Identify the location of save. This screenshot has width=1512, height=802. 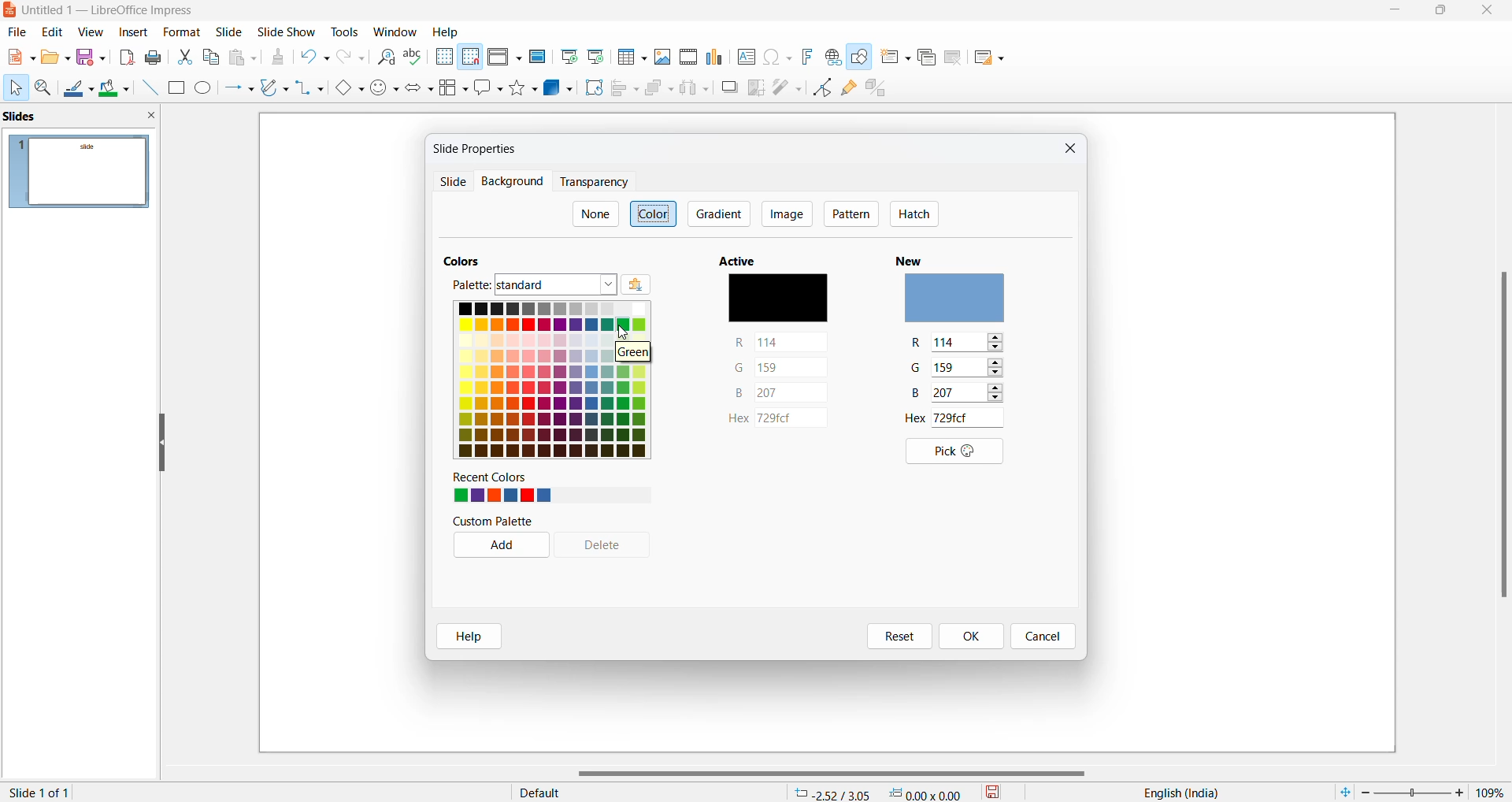
(994, 791).